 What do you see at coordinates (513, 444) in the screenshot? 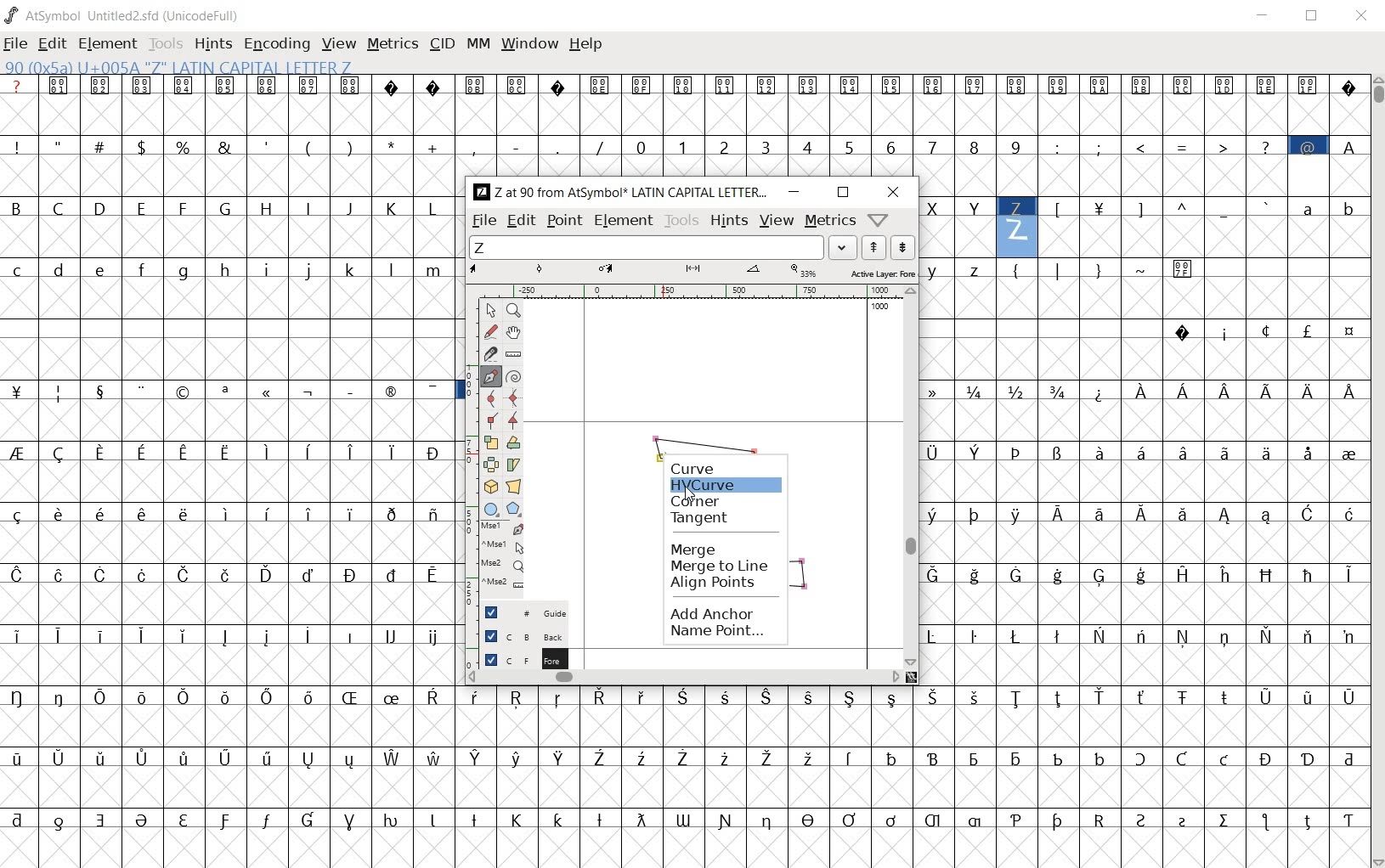
I see `Rotate the selection` at bounding box center [513, 444].